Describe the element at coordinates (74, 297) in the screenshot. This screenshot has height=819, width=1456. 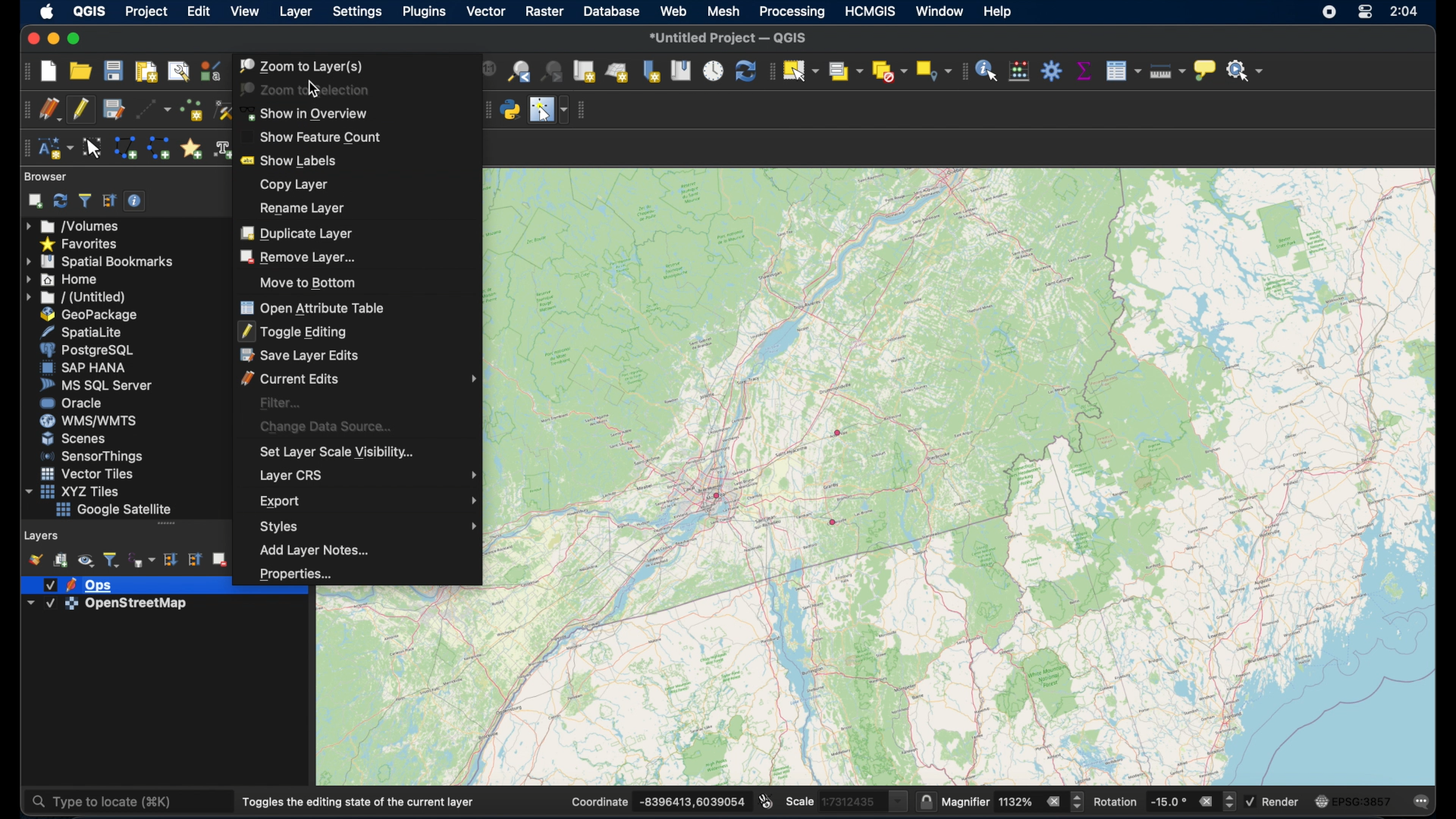
I see `untitled` at that location.